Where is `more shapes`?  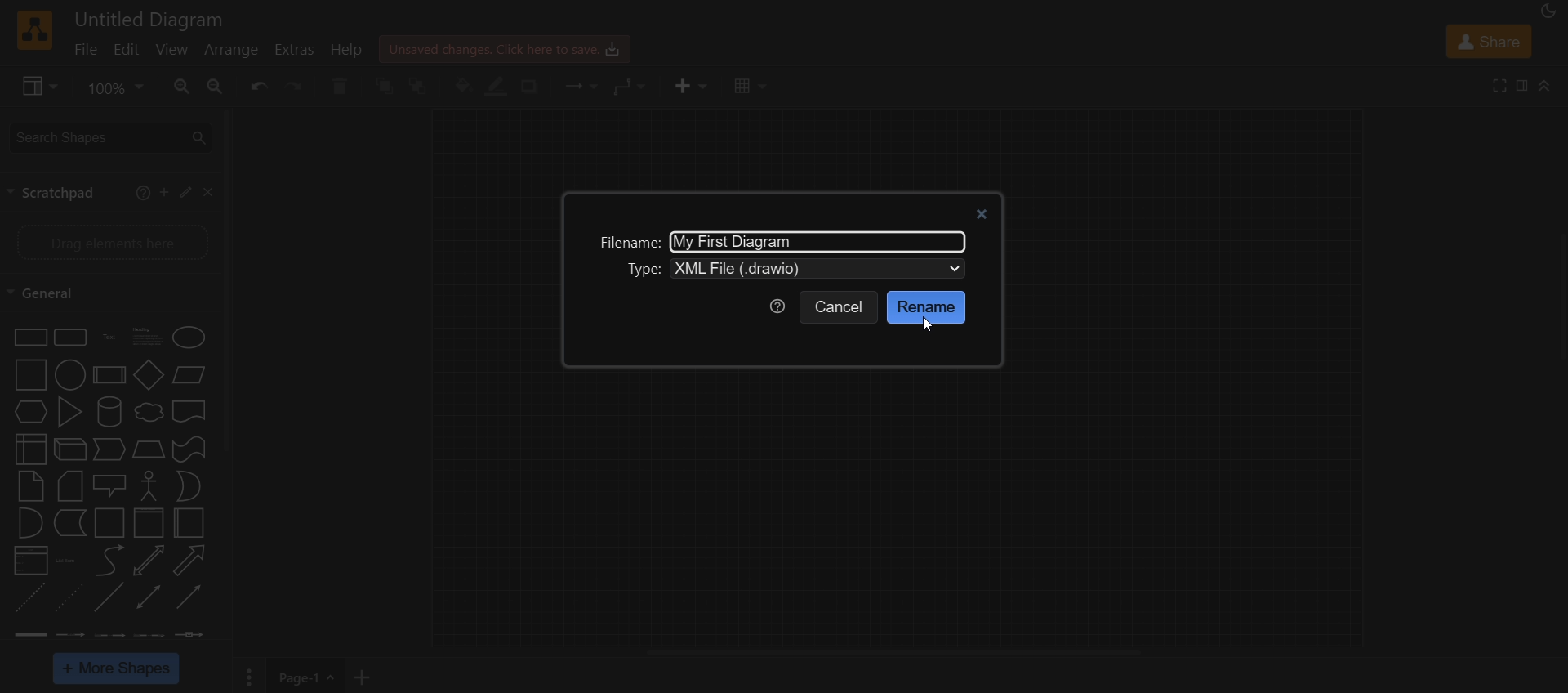
more shapes is located at coordinates (118, 669).